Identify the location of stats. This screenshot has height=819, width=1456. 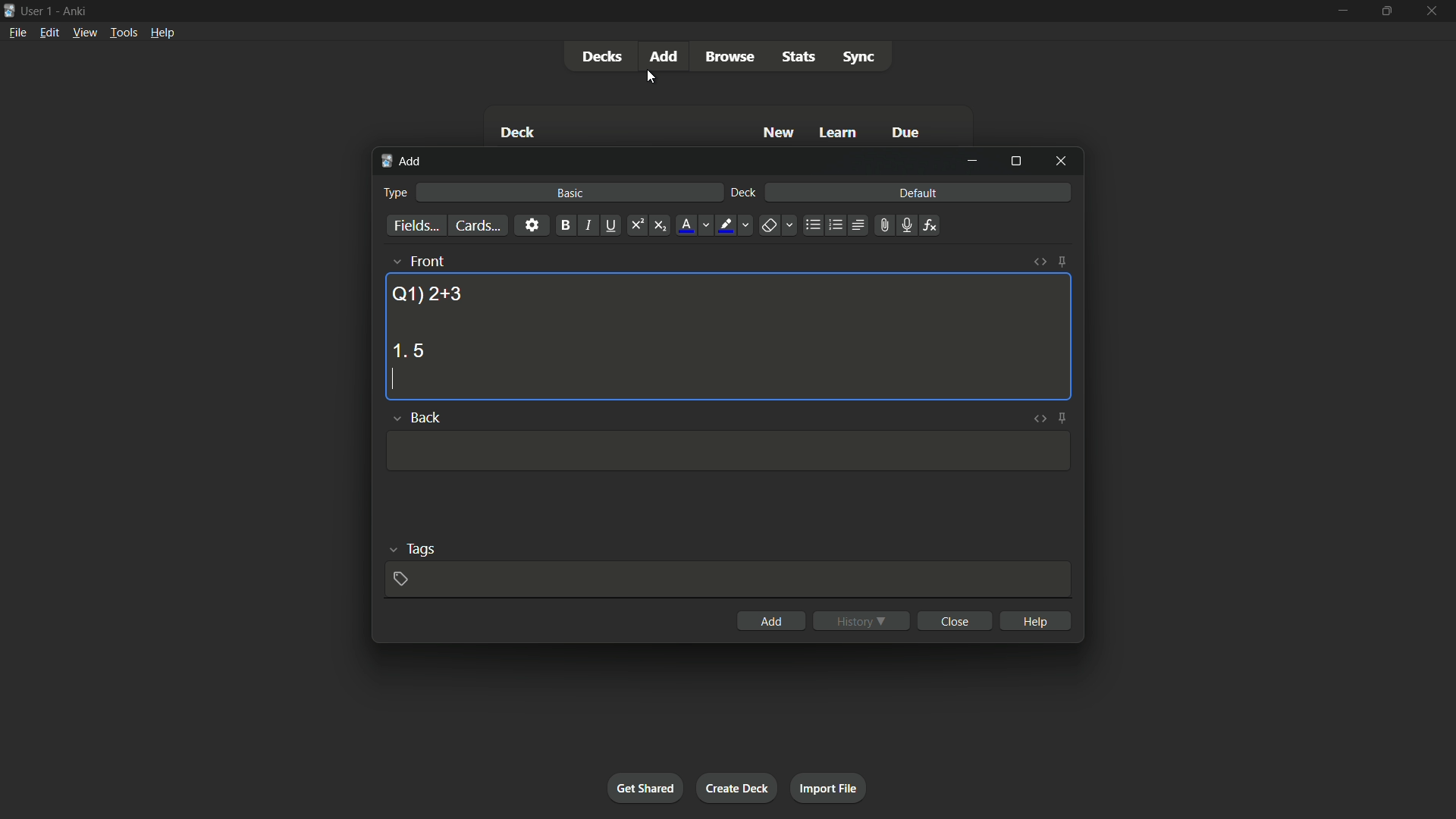
(800, 57).